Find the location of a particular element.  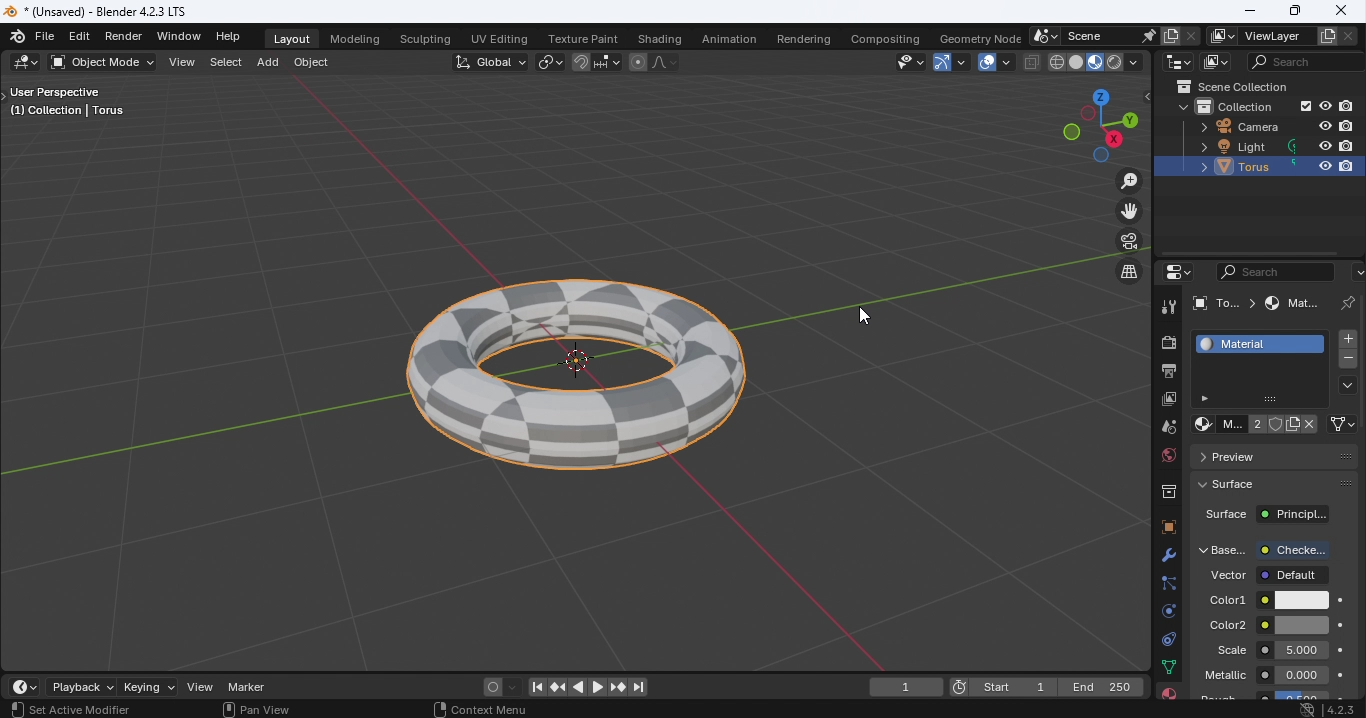

View layer is located at coordinates (1167, 397).